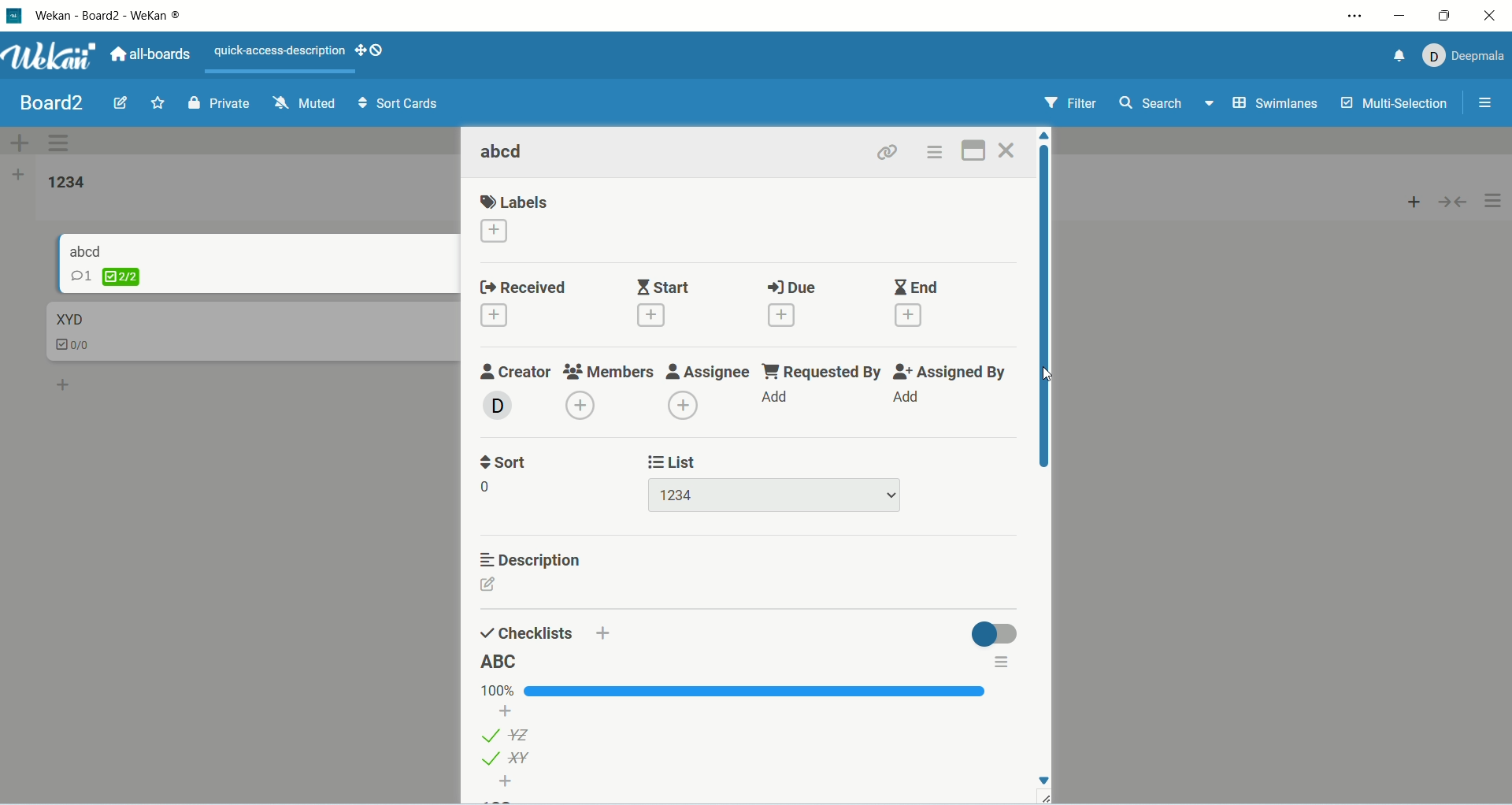  Describe the element at coordinates (87, 250) in the screenshot. I see `card title` at that location.